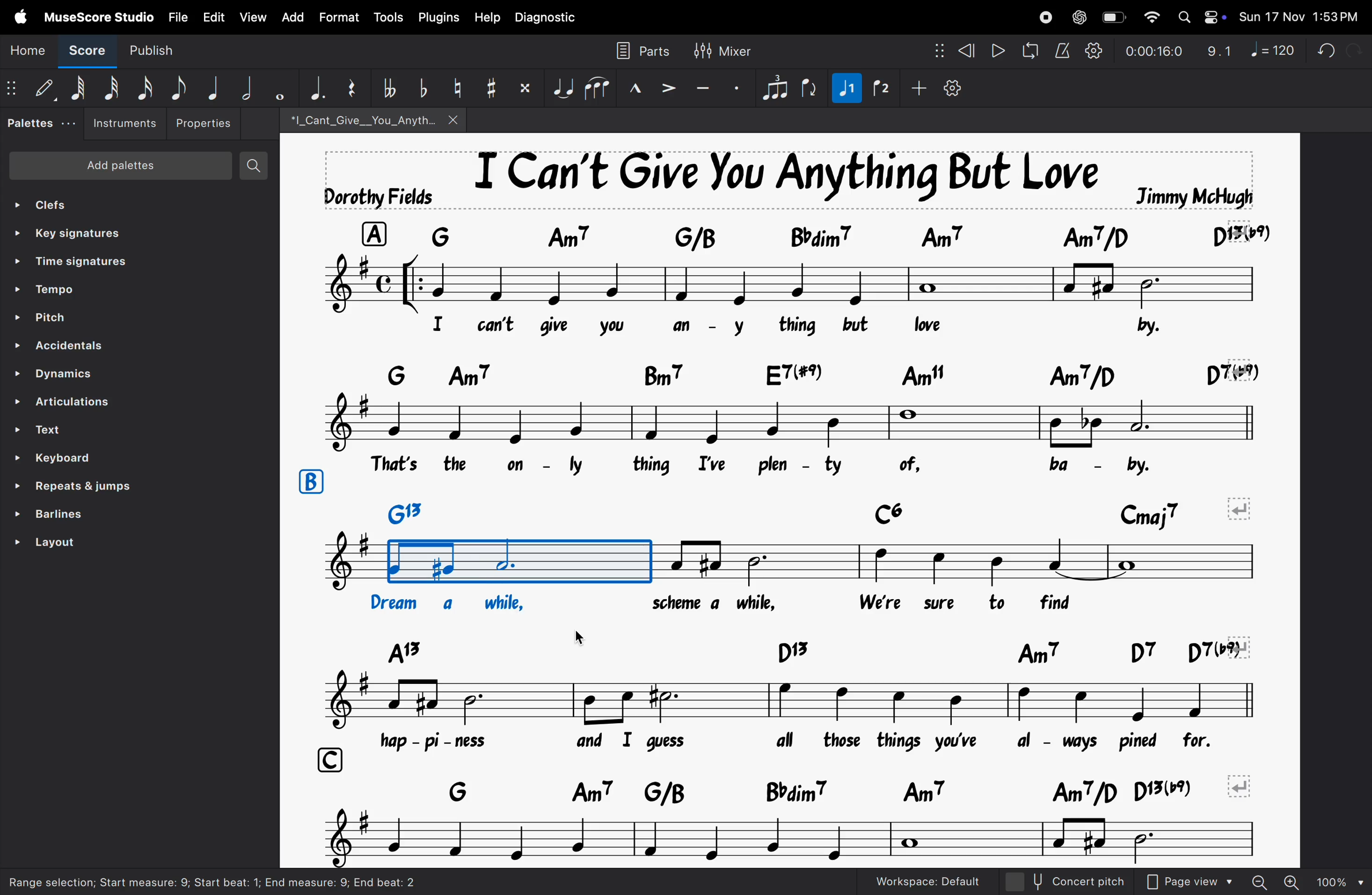 The height and width of the screenshot is (895, 1372). What do you see at coordinates (128, 123) in the screenshot?
I see `instruements` at bounding box center [128, 123].